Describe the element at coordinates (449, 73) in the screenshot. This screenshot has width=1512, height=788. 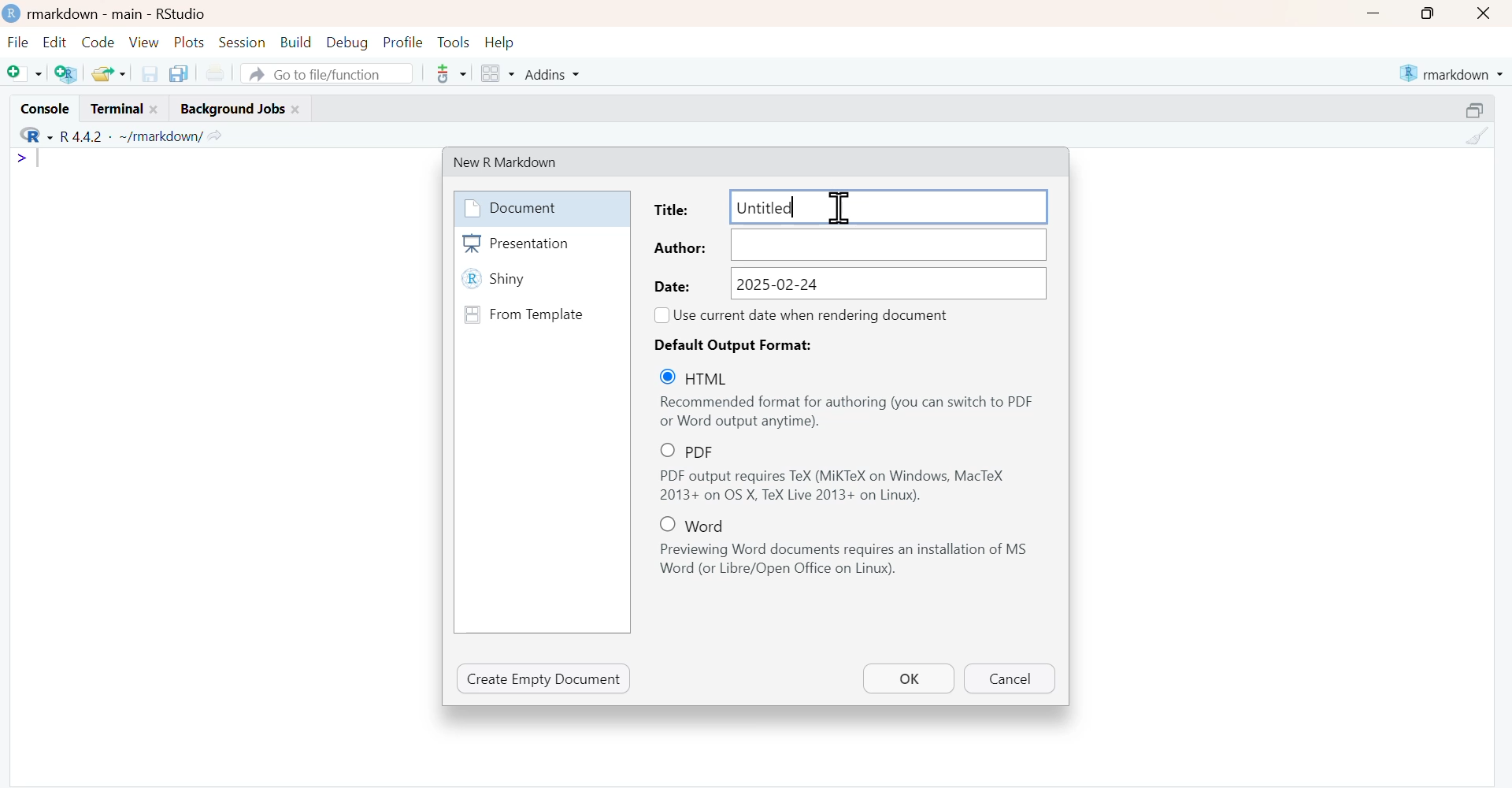
I see `git commit` at that location.